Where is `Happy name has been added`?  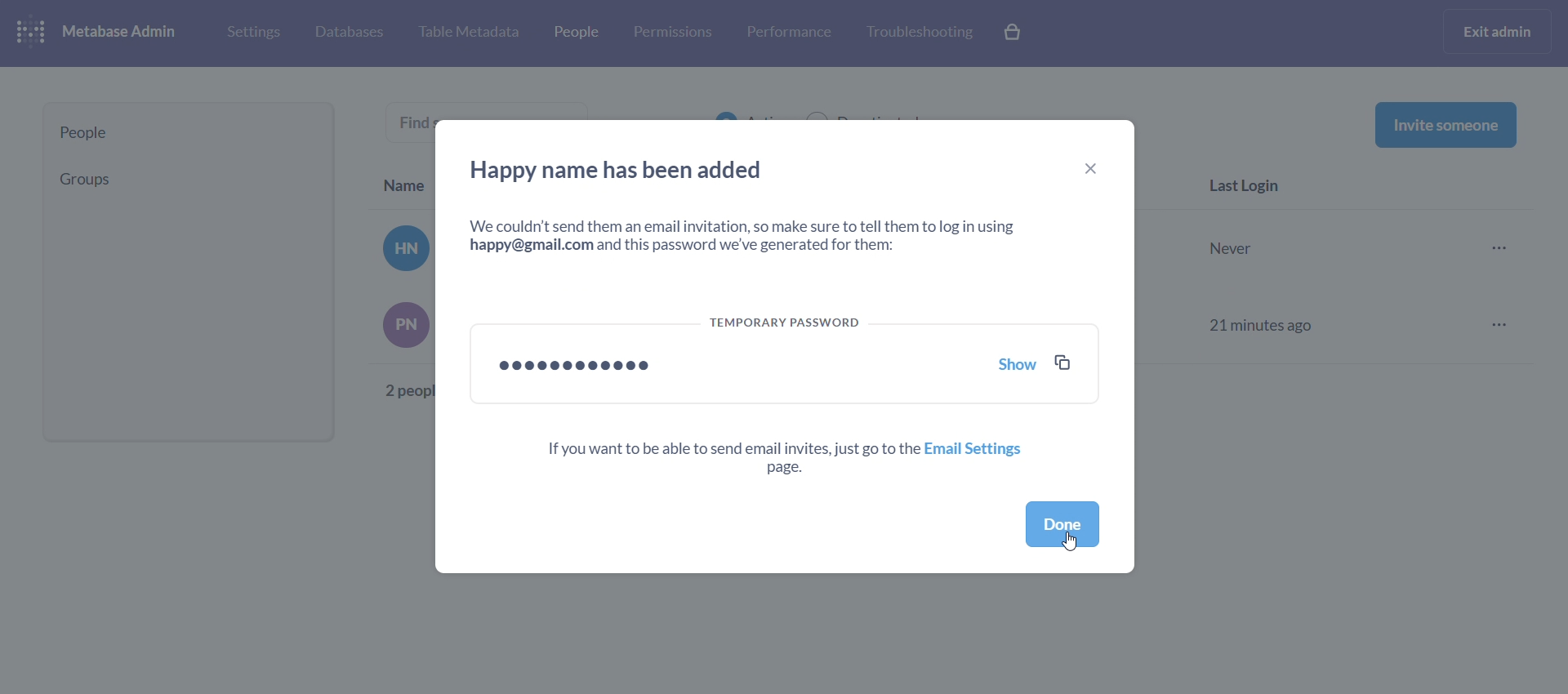 Happy name has been added is located at coordinates (622, 169).